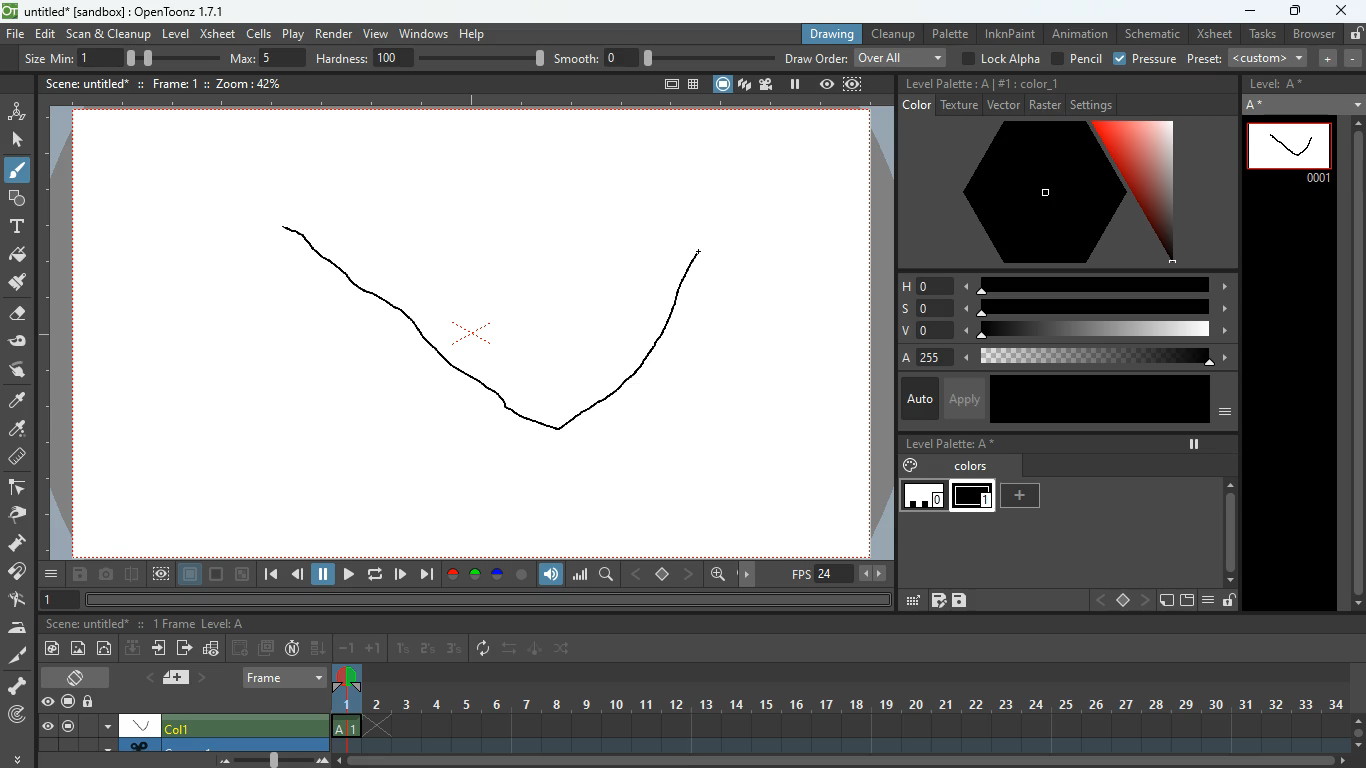 The width and height of the screenshot is (1366, 768). What do you see at coordinates (260, 33) in the screenshot?
I see `cells` at bounding box center [260, 33].